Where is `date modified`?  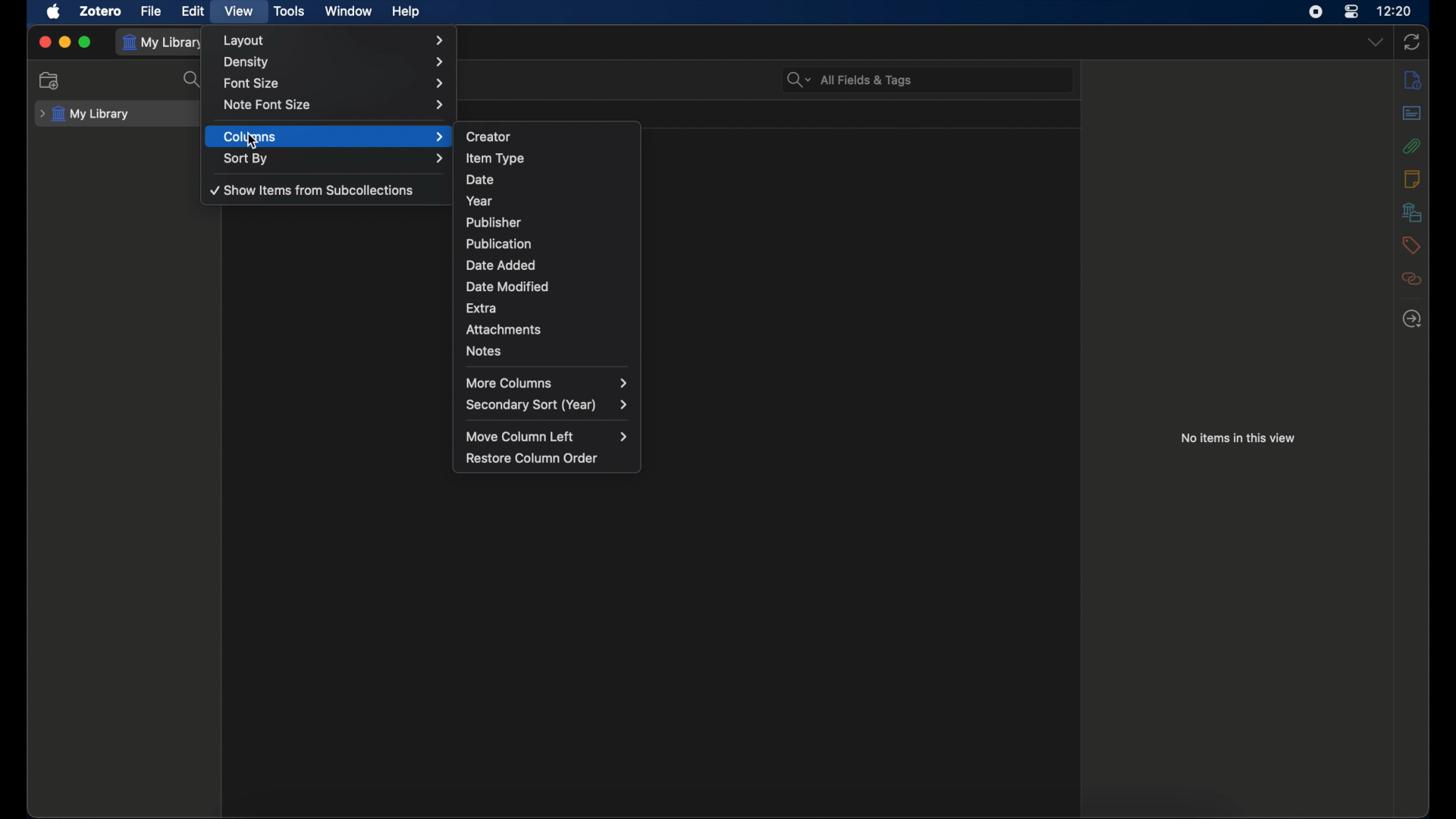
date modified is located at coordinates (509, 287).